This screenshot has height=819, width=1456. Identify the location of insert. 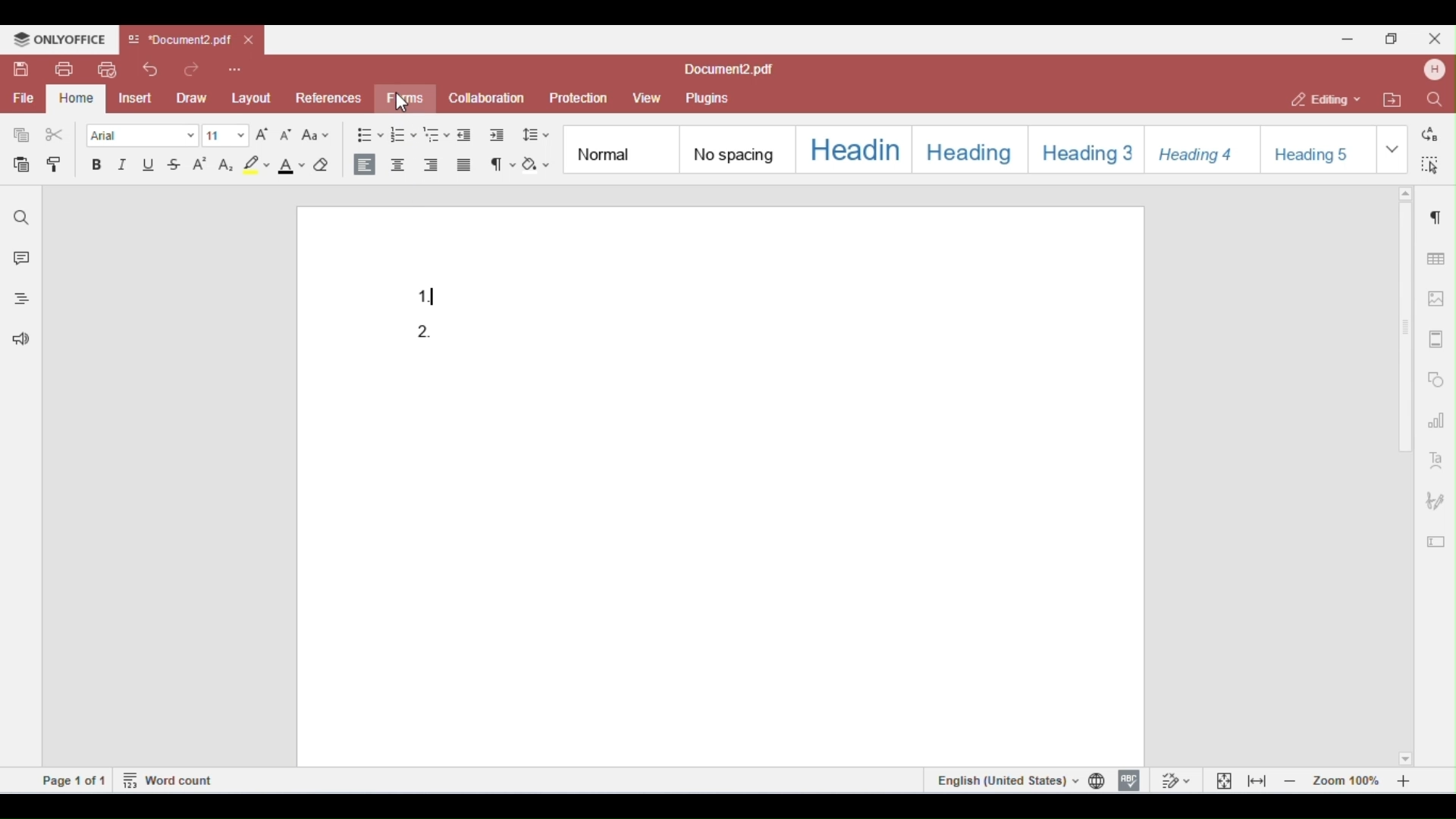
(138, 98).